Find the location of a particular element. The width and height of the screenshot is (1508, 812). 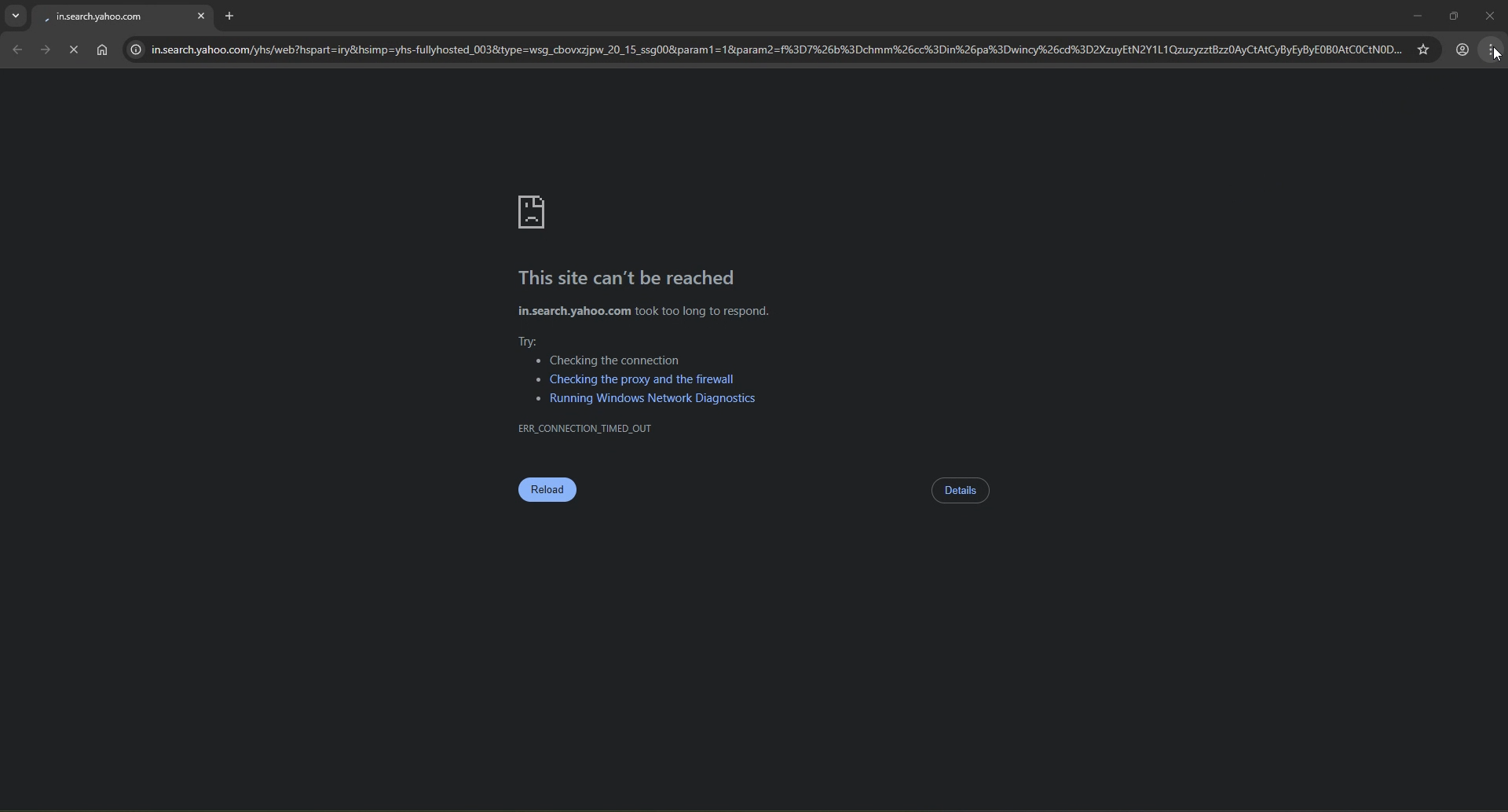

Stop Reload is located at coordinates (72, 49).